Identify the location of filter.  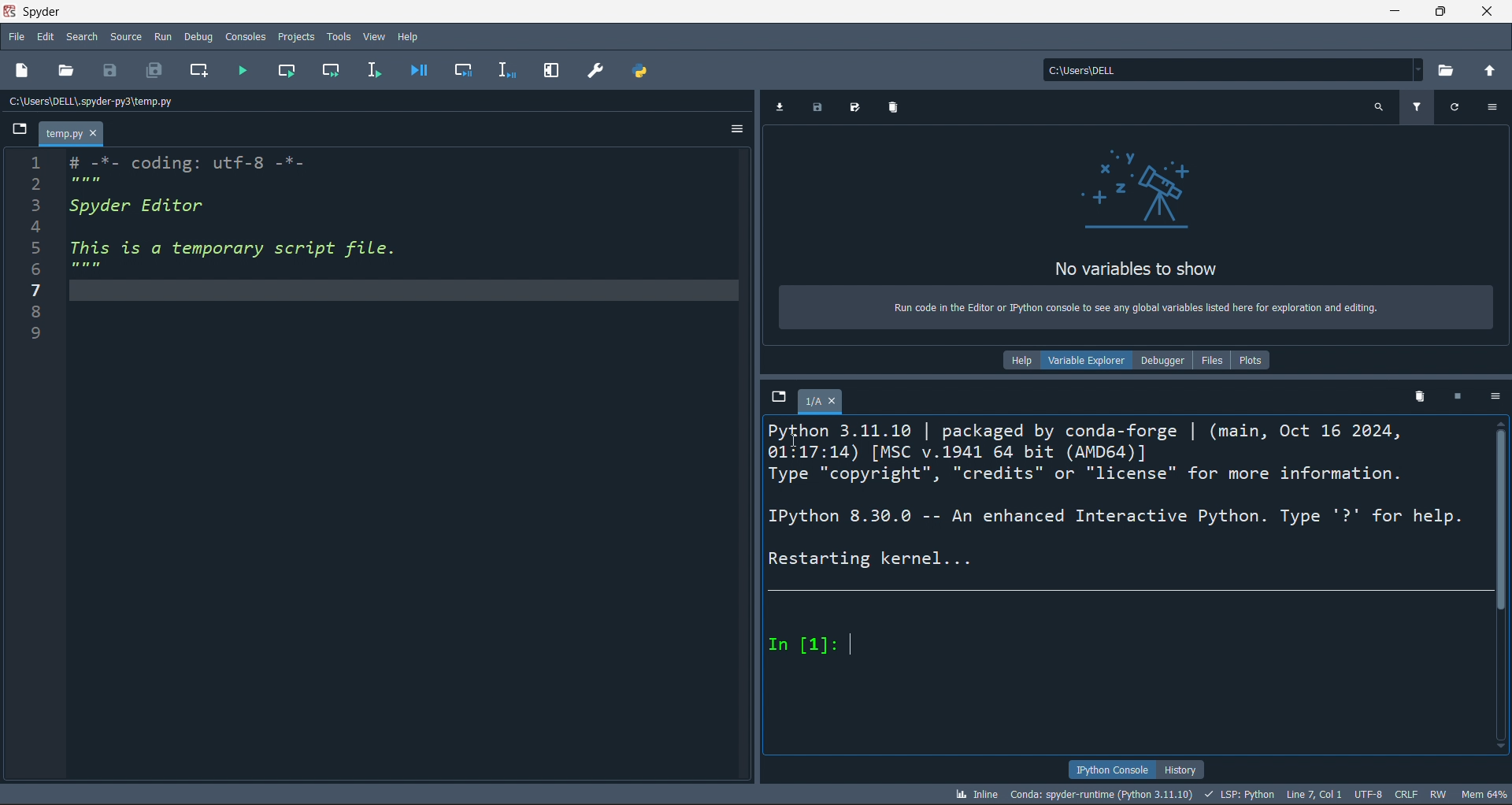
(1413, 109).